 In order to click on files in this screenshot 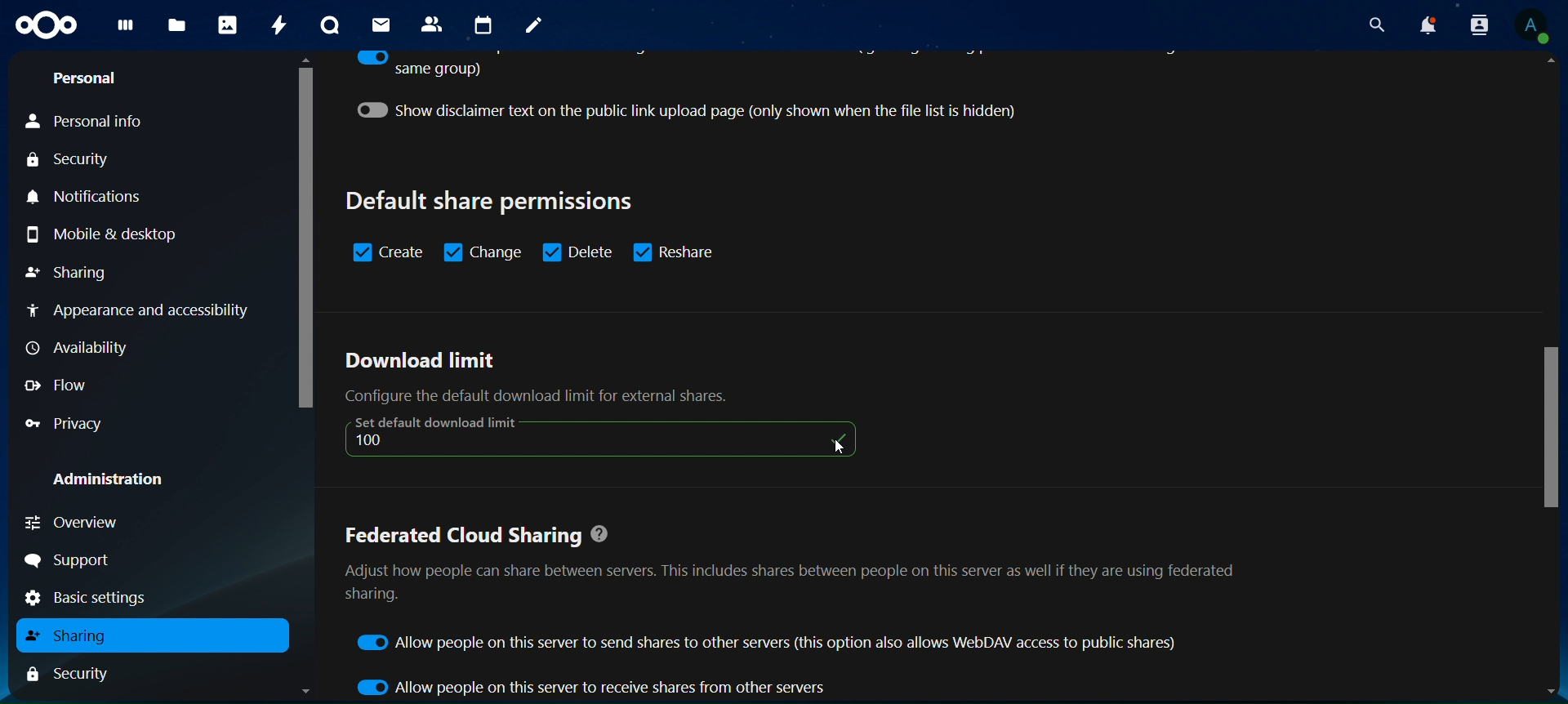, I will do `click(178, 27)`.